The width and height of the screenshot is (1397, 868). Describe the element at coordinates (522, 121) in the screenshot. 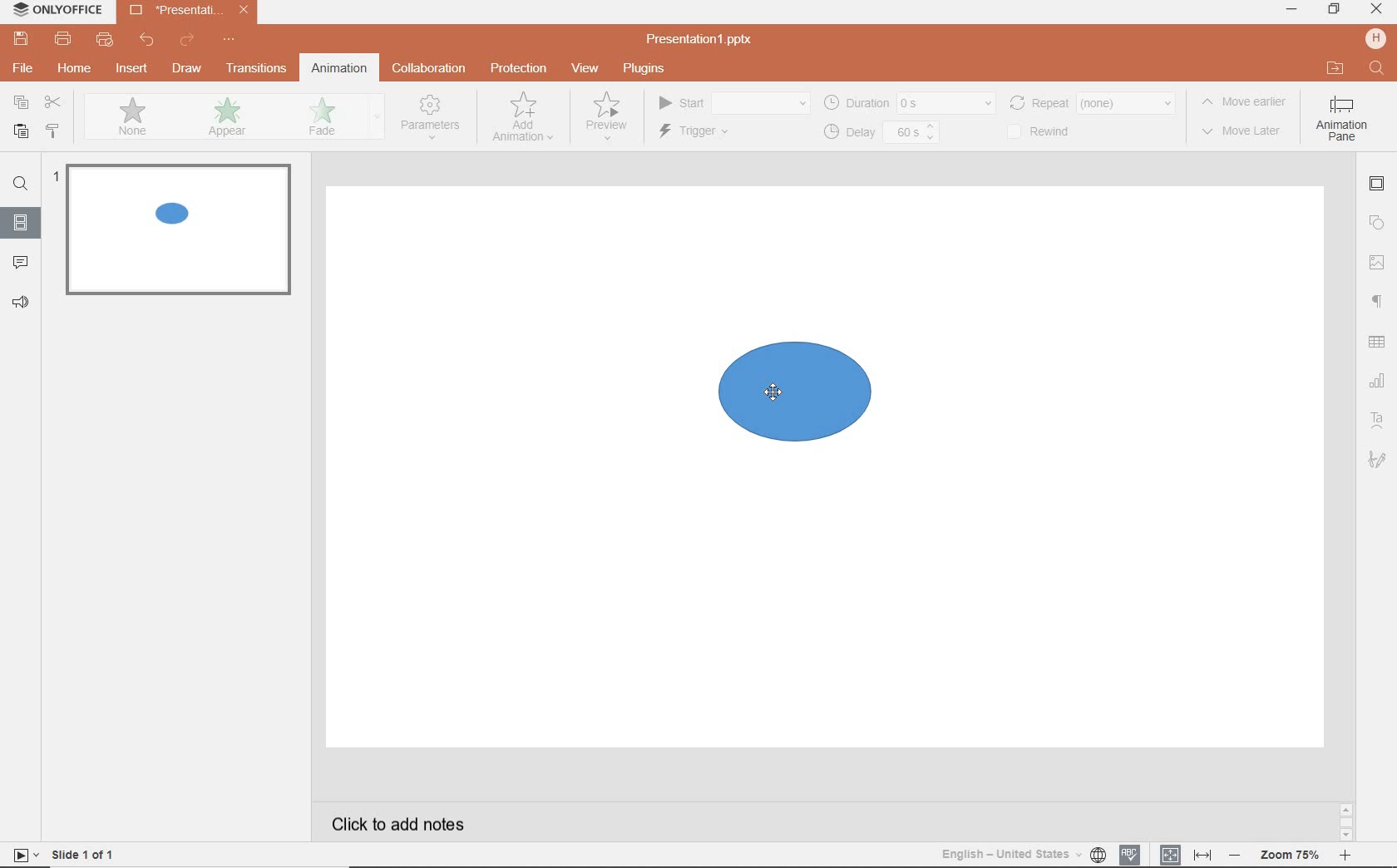

I see `add animation` at that location.